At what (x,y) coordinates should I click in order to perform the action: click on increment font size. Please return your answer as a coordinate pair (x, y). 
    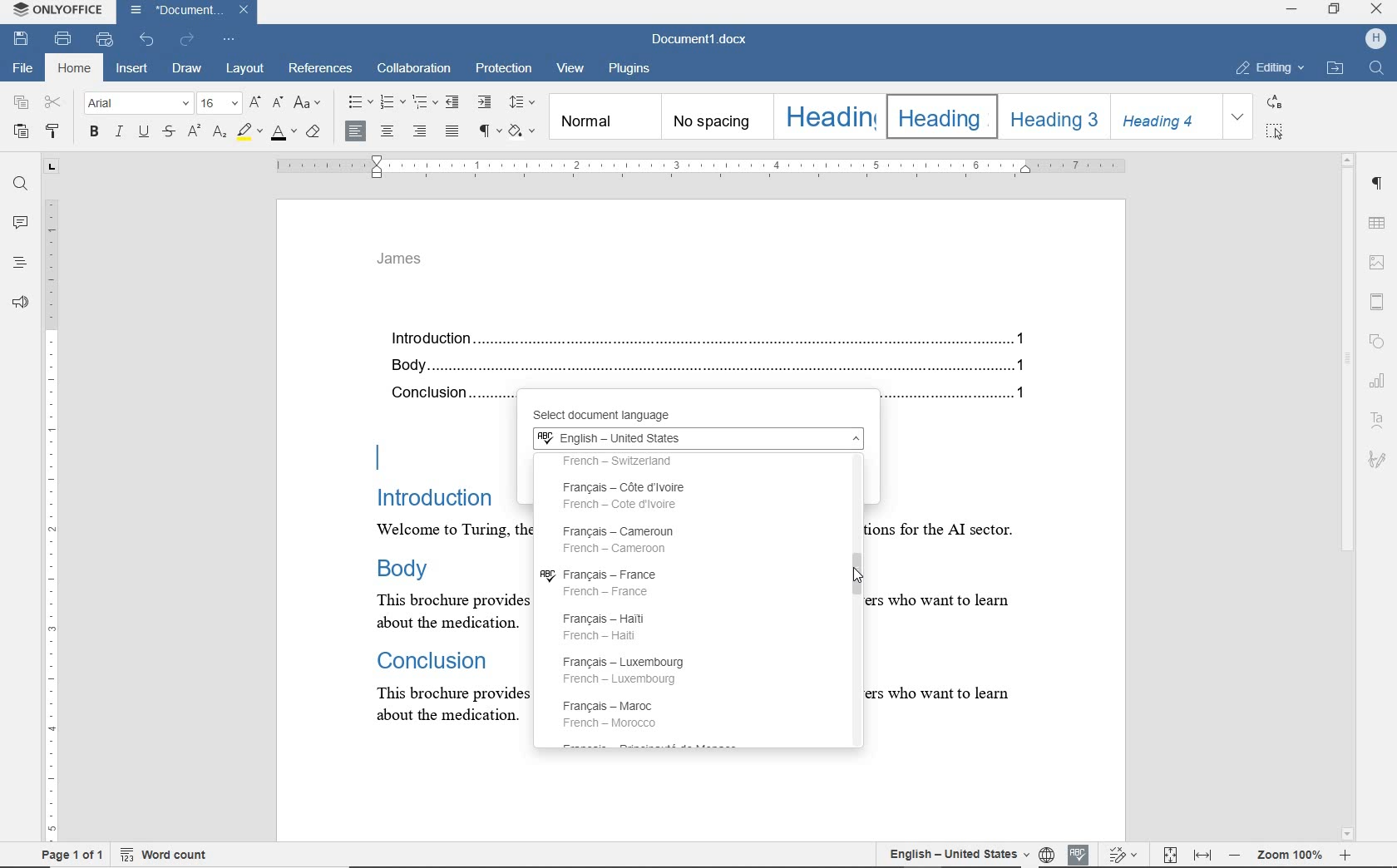
    Looking at the image, I should click on (254, 103).